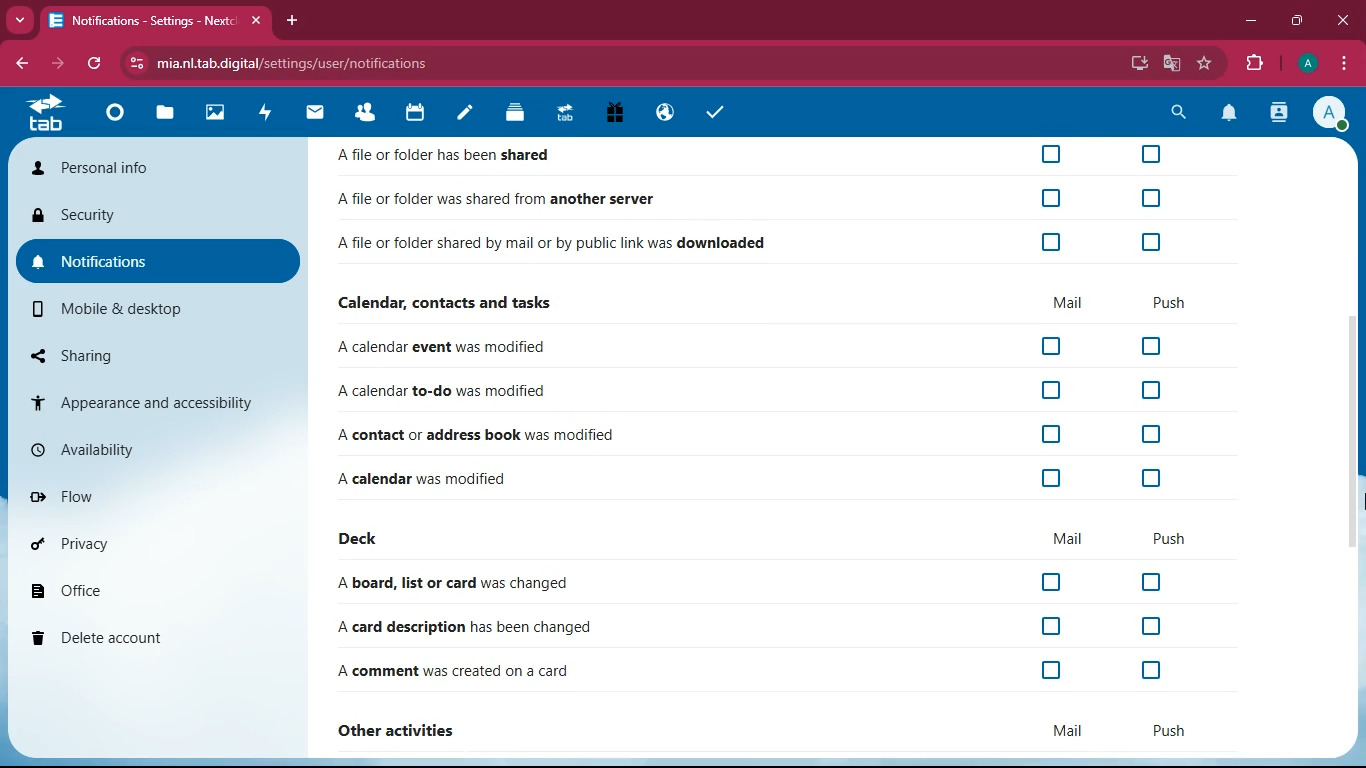 This screenshot has height=768, width=1366. What do you see at coordinates (1328, 112) in the screenshot?
I see `Account` at bounding box center [1328, 112].